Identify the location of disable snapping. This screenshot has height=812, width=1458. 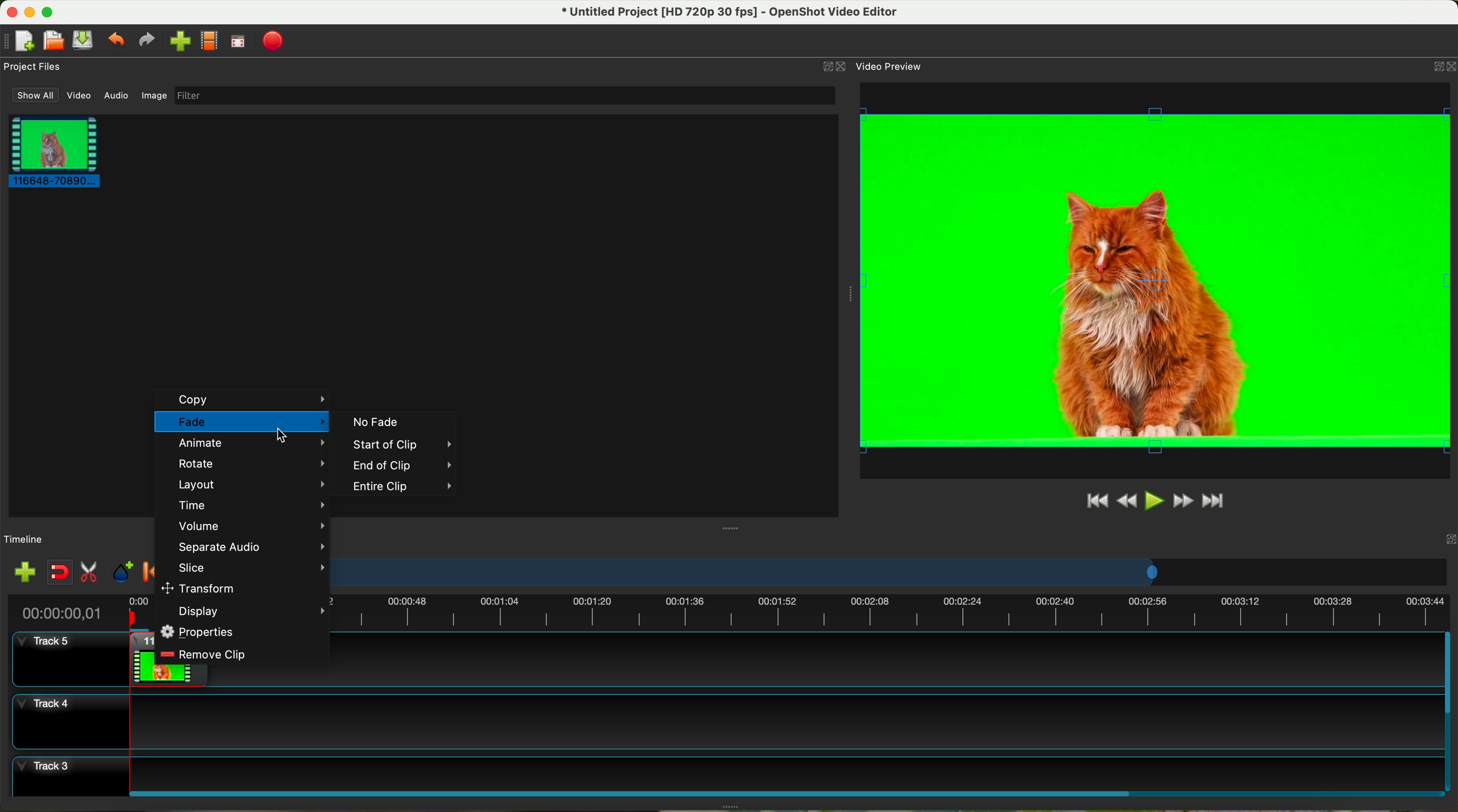
(60, 572).